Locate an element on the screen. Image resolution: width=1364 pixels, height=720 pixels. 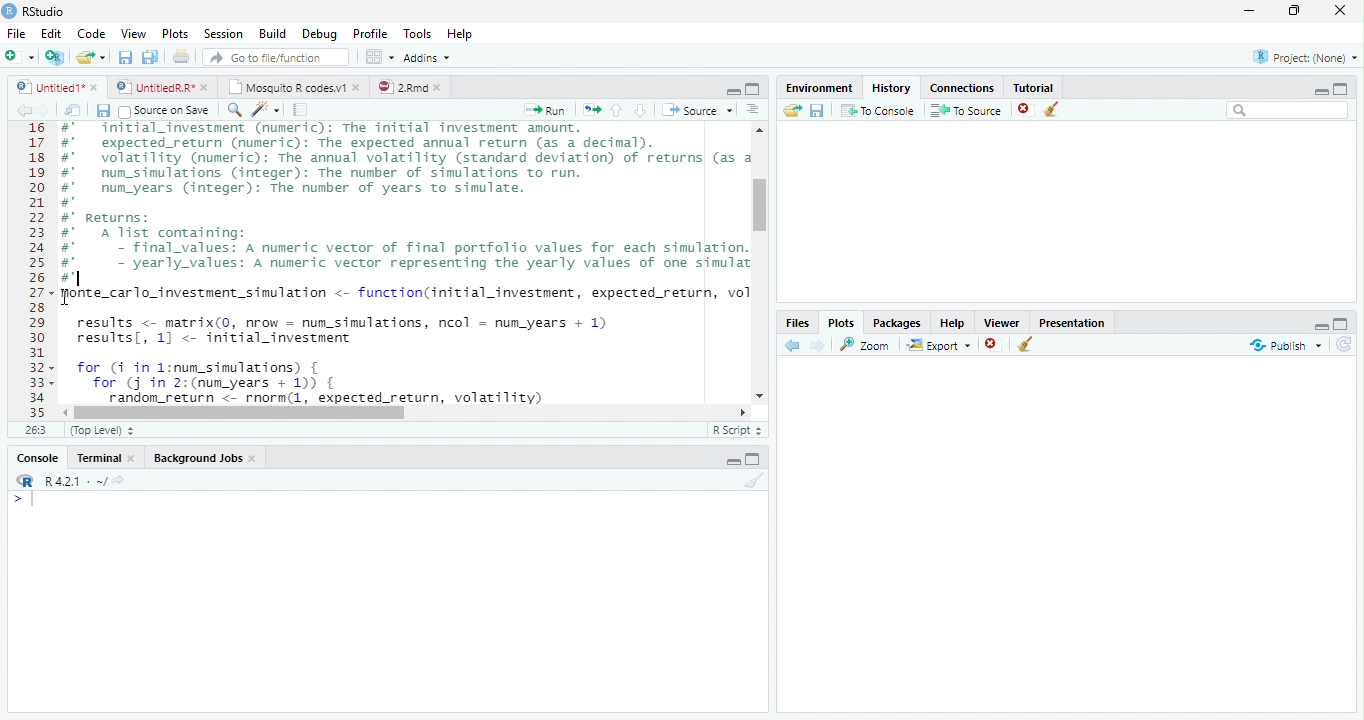
Full Height is located at coordinates (1342, 87).